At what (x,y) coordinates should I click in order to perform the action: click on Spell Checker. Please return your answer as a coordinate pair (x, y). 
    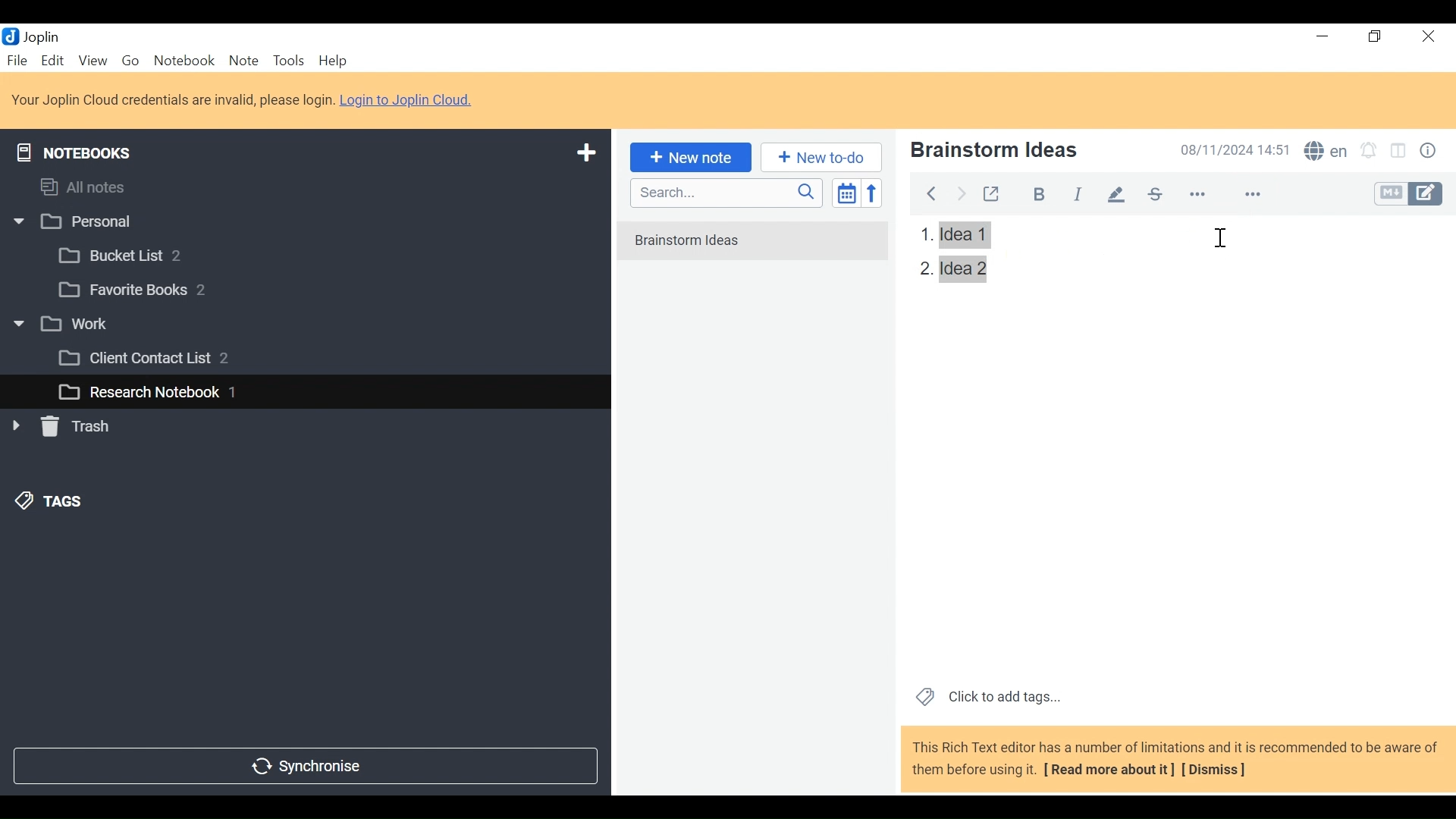
    Looking at the image, I should click on (1326, 152).